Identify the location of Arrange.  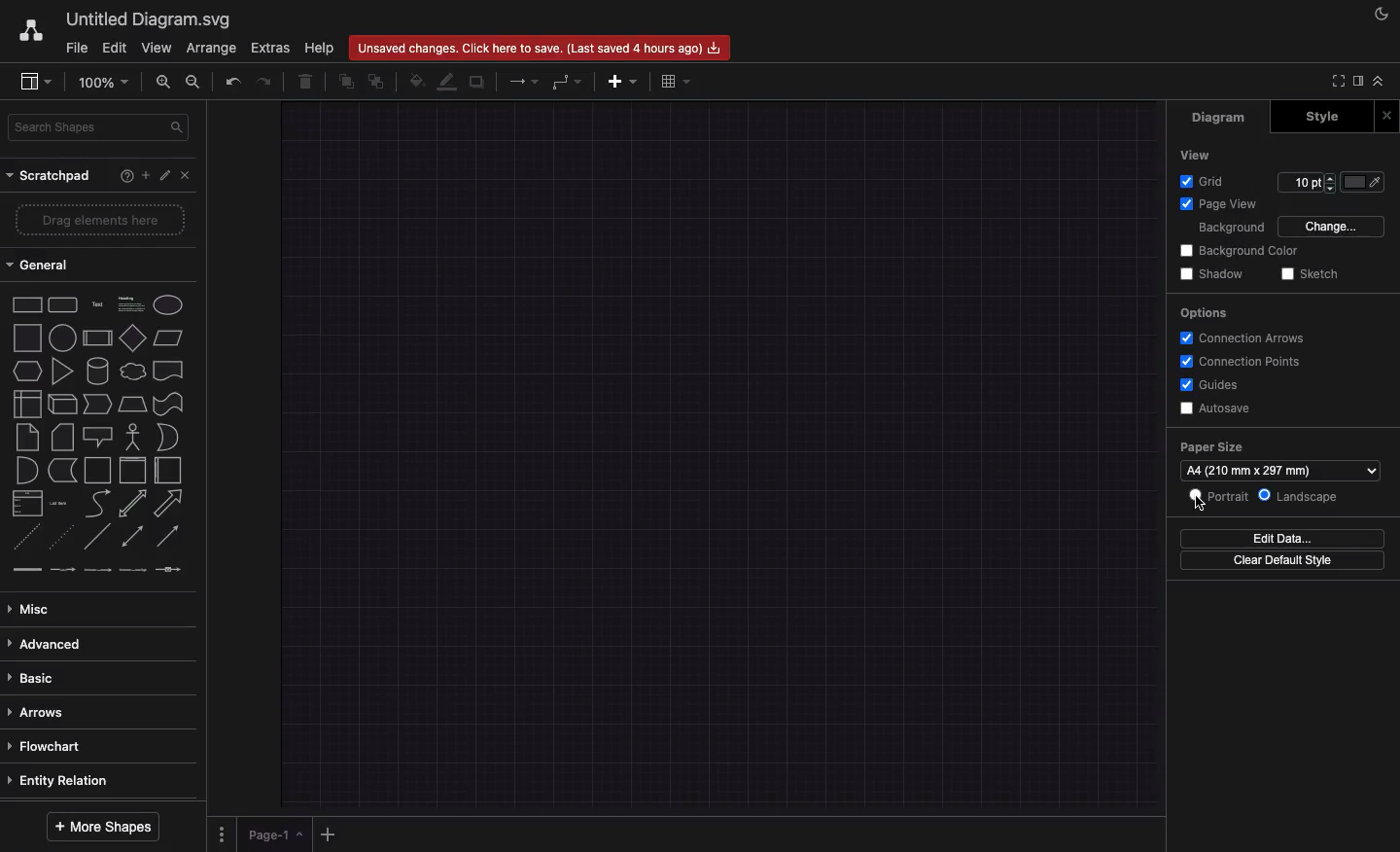
(211, 50).